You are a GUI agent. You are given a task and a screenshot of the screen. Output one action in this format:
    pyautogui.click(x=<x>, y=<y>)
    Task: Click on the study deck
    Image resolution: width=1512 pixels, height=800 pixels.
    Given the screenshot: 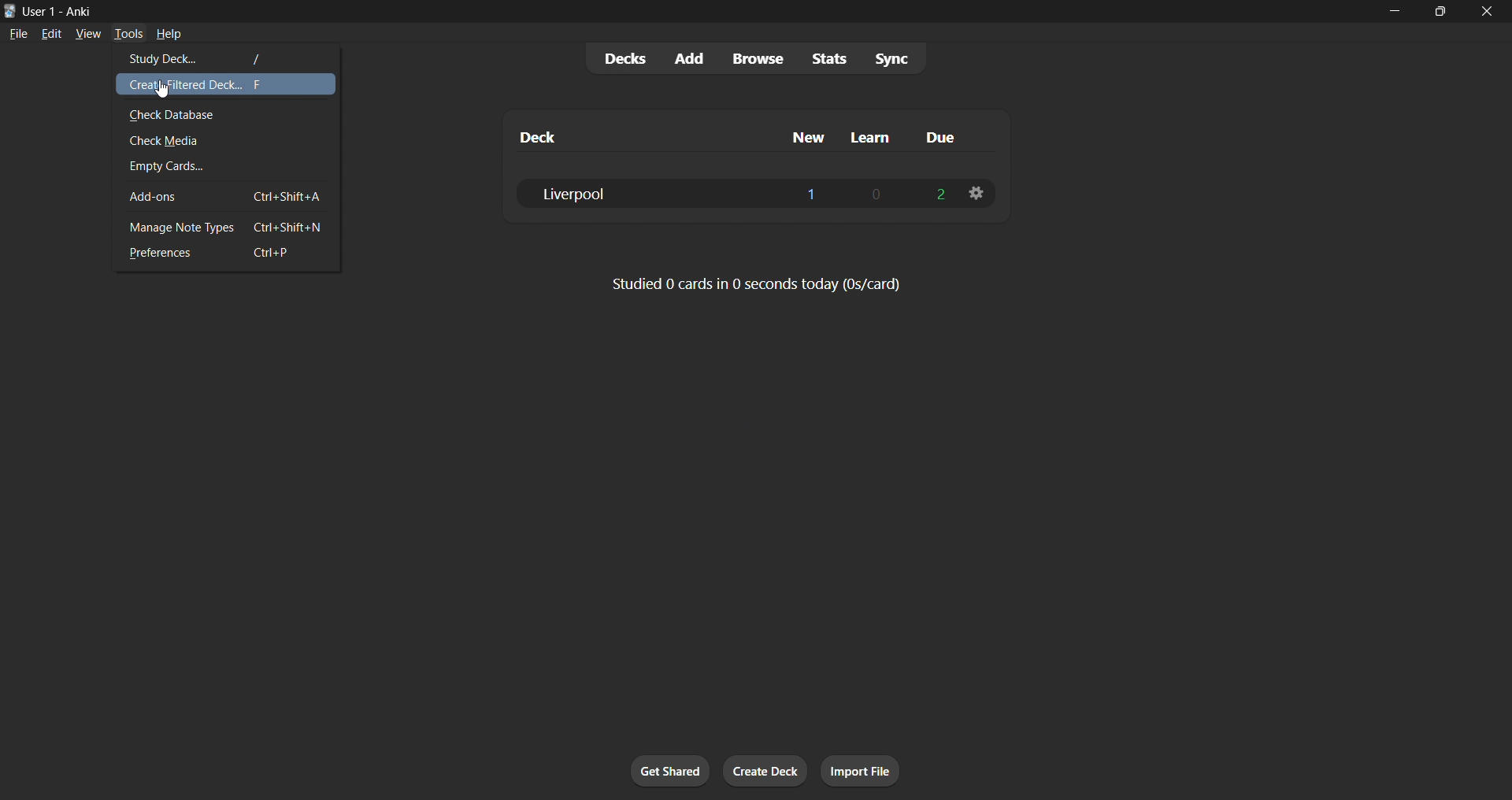 What is the action you would take?
    pyautogui.click(x=228, y=57)
    